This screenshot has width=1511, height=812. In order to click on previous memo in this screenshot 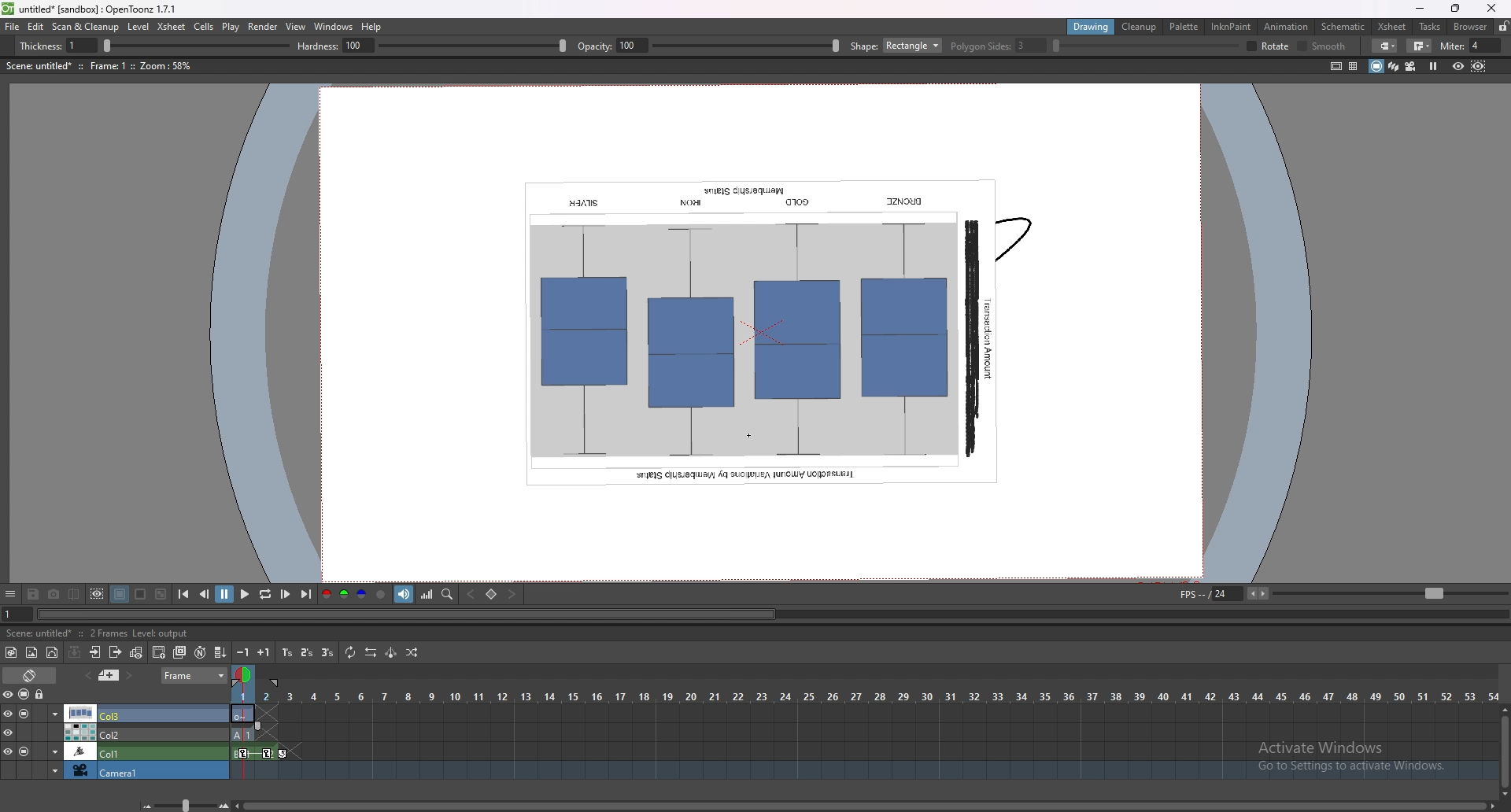, I will do `click(86, 675)`.